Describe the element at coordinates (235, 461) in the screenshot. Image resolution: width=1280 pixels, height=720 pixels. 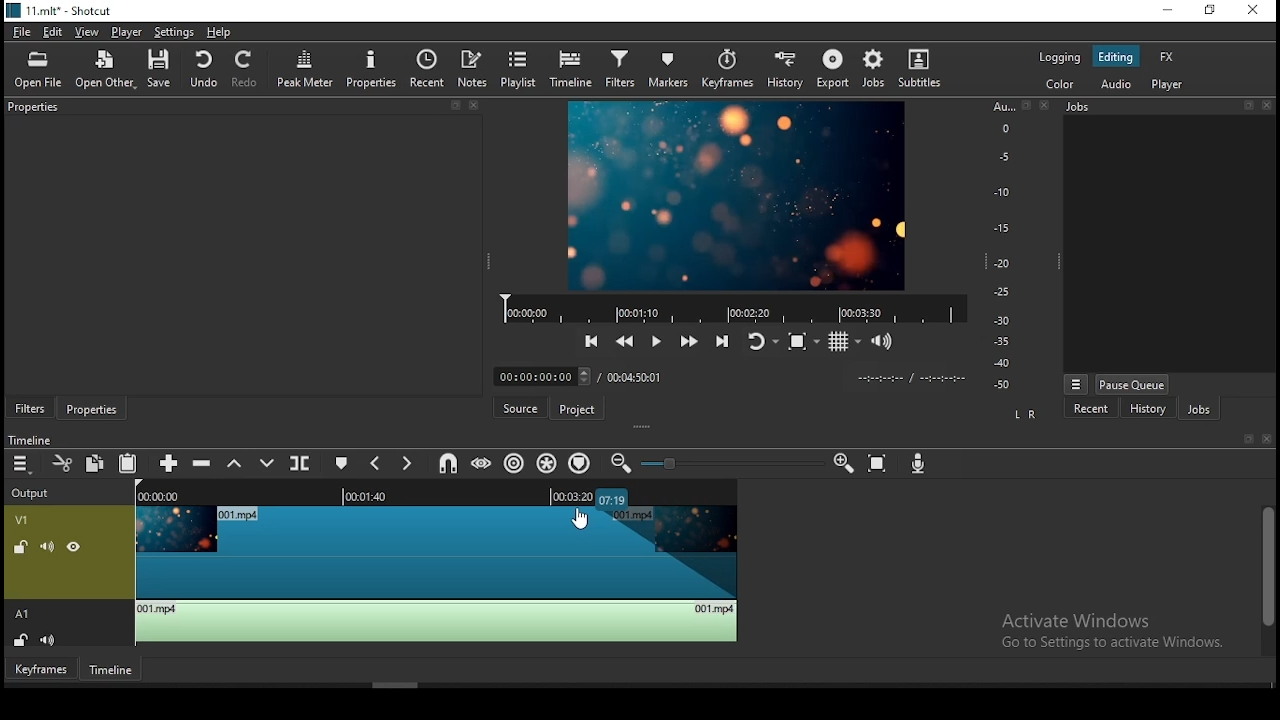
I see `lift` at that location.